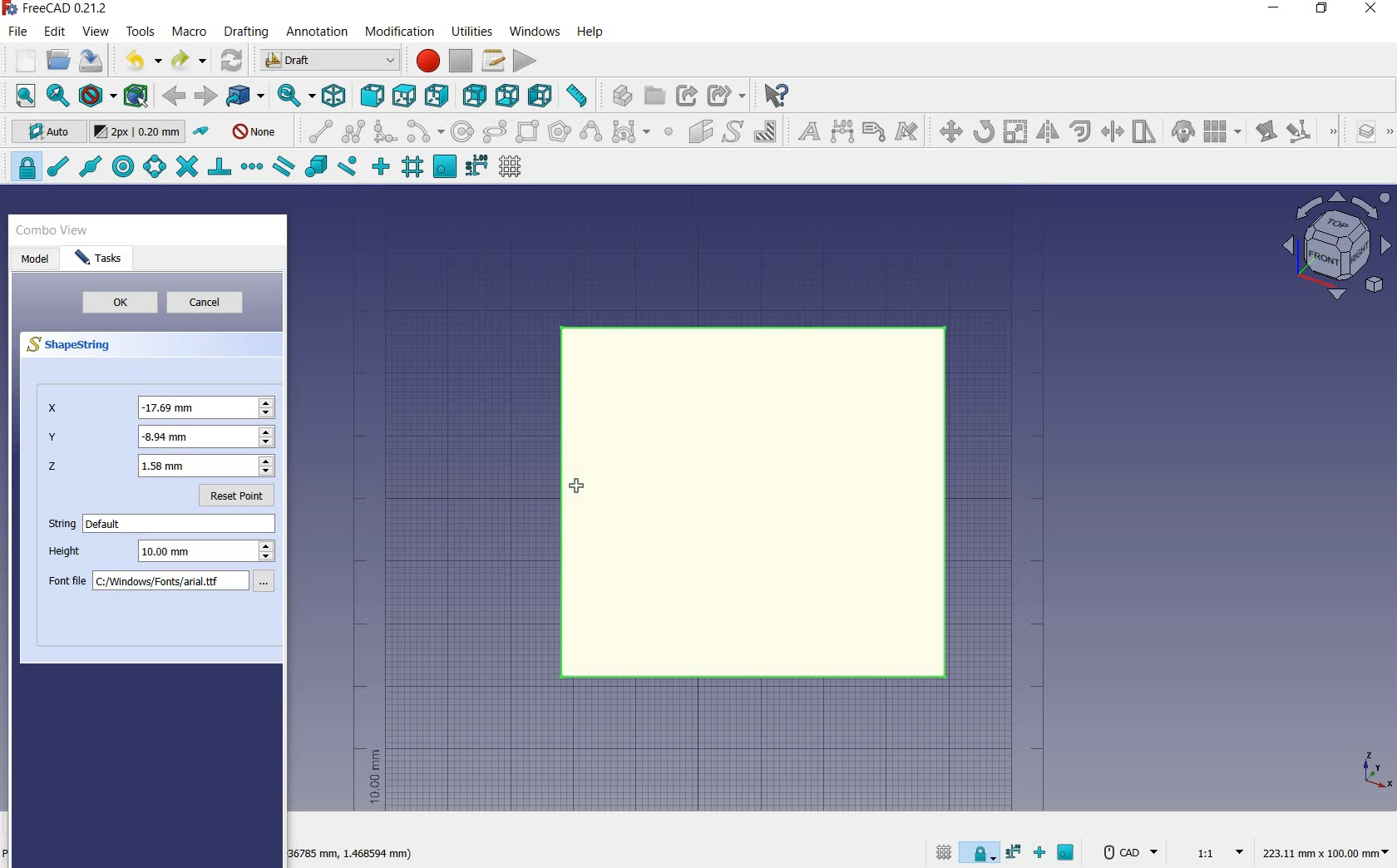 This screenshot has width=1397, height=868. I want to click on isometric, so click(335, 98).